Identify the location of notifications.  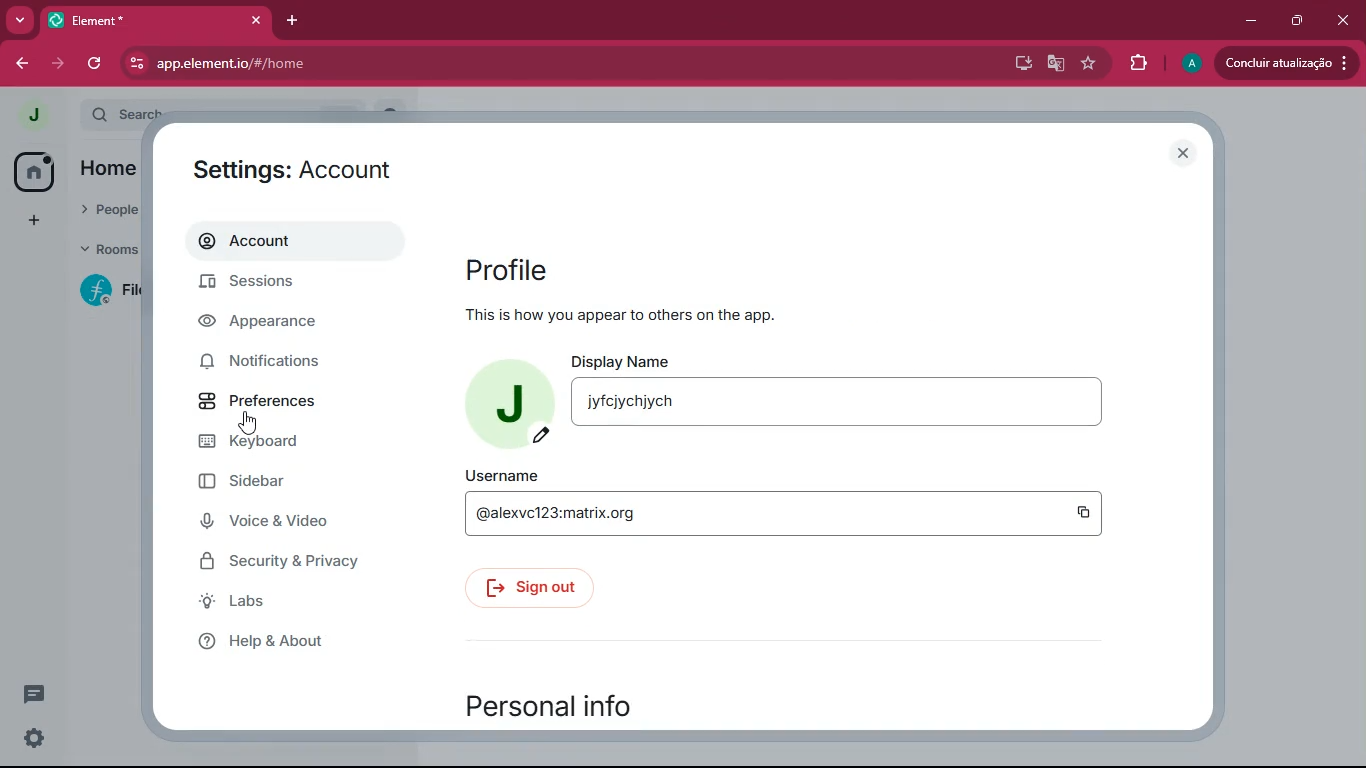
(285, 365).